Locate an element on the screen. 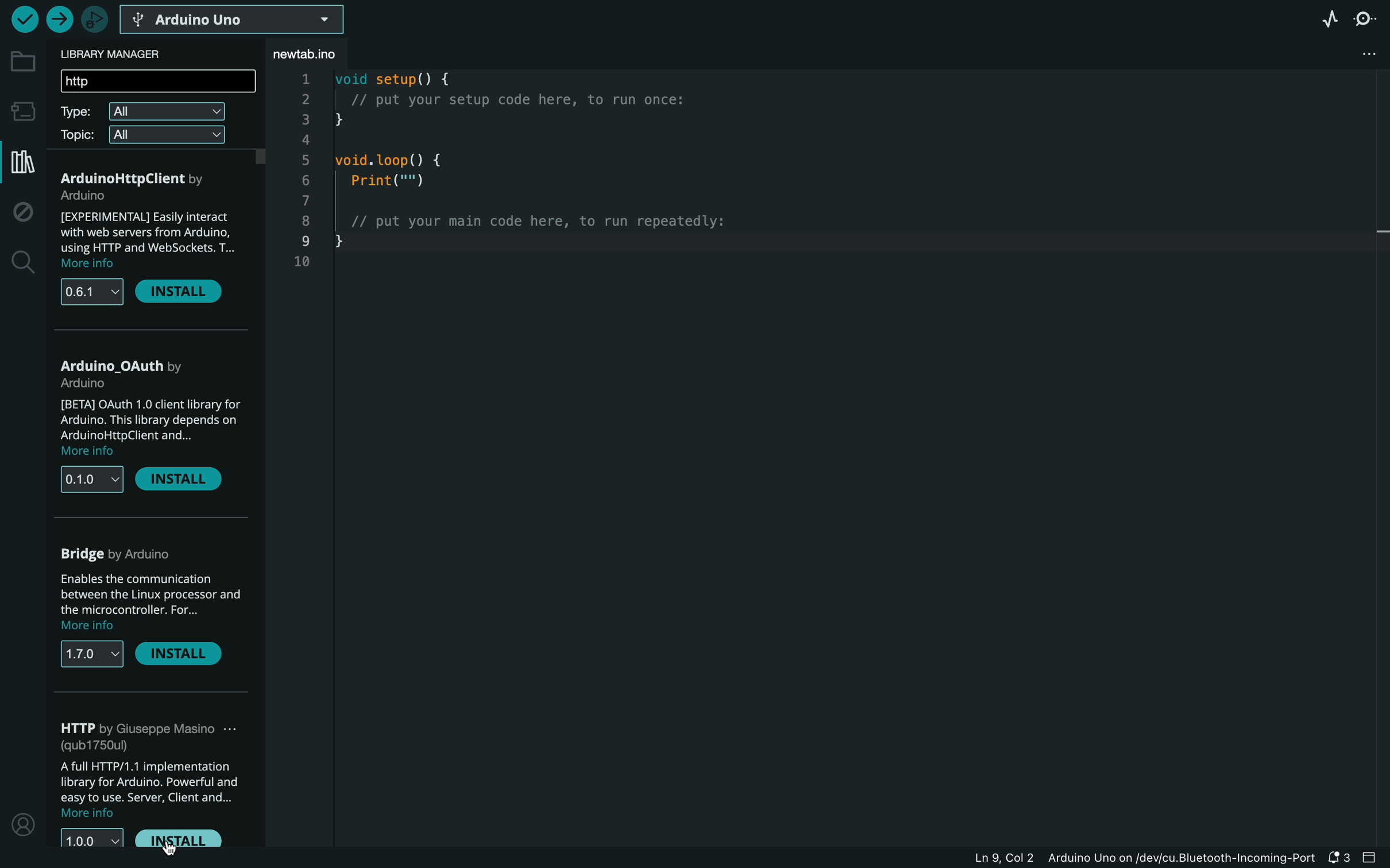 This screenshot has width=1390, height=868. description is located at coordinates (150, 230).